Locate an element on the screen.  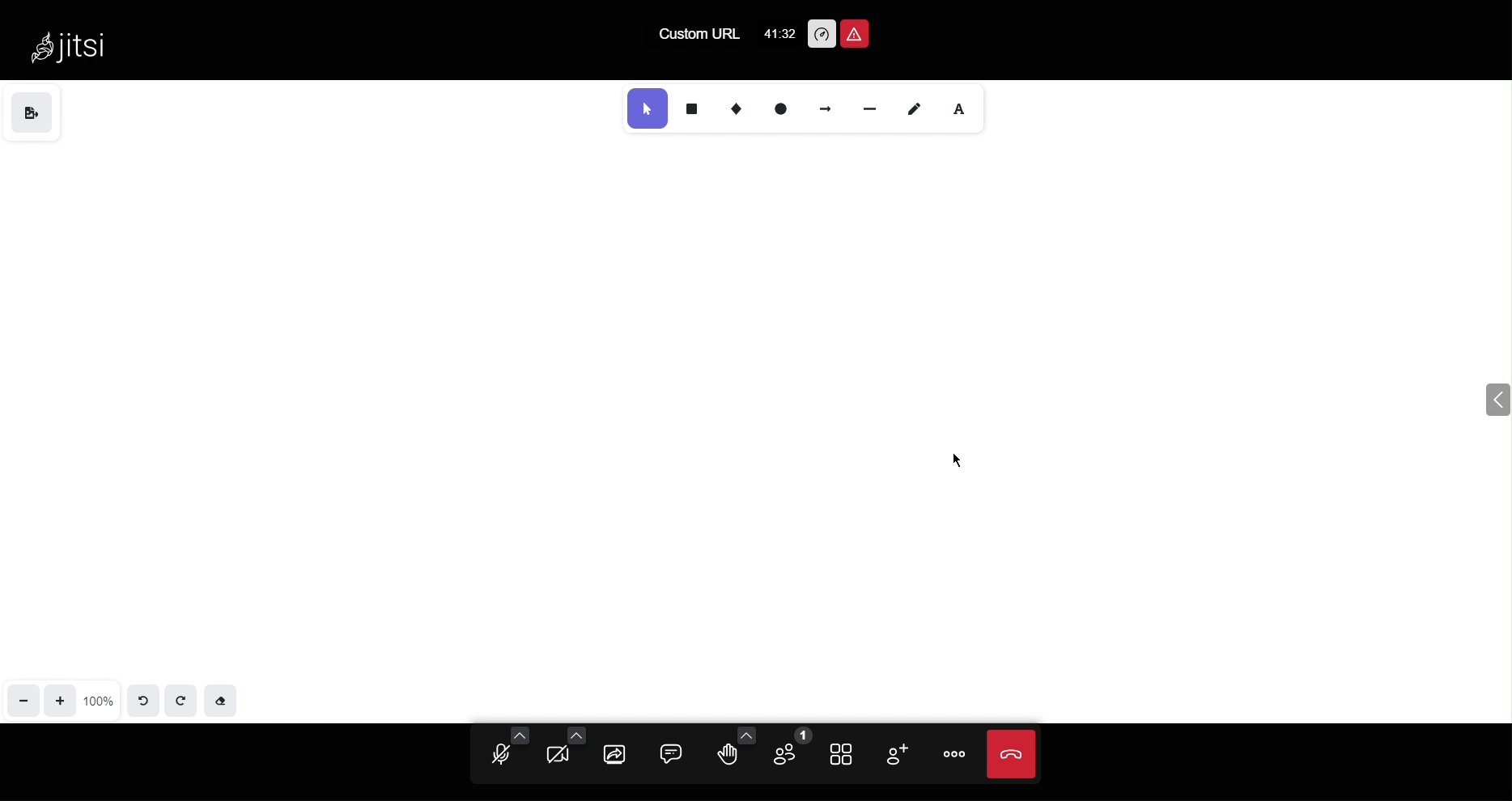
Line is located at coordinates (873, 109).